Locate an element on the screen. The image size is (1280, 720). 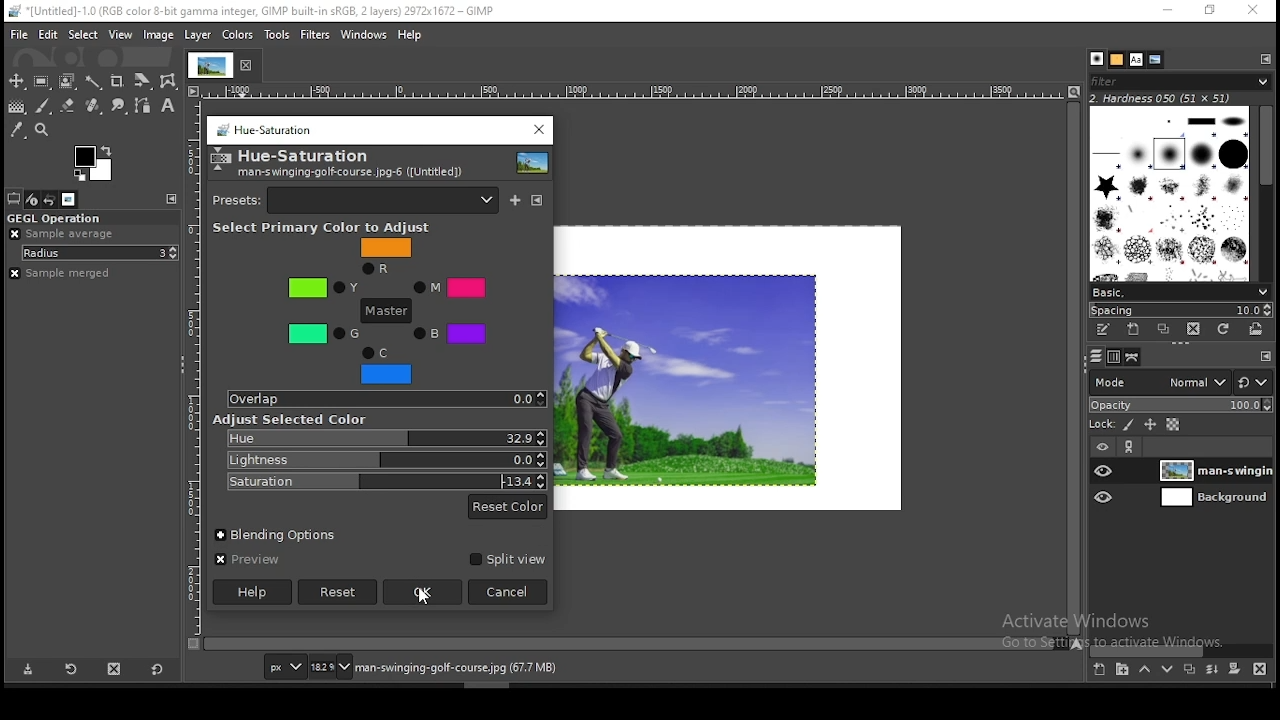
fuzzy select tool is located at coordinates (92, 82).